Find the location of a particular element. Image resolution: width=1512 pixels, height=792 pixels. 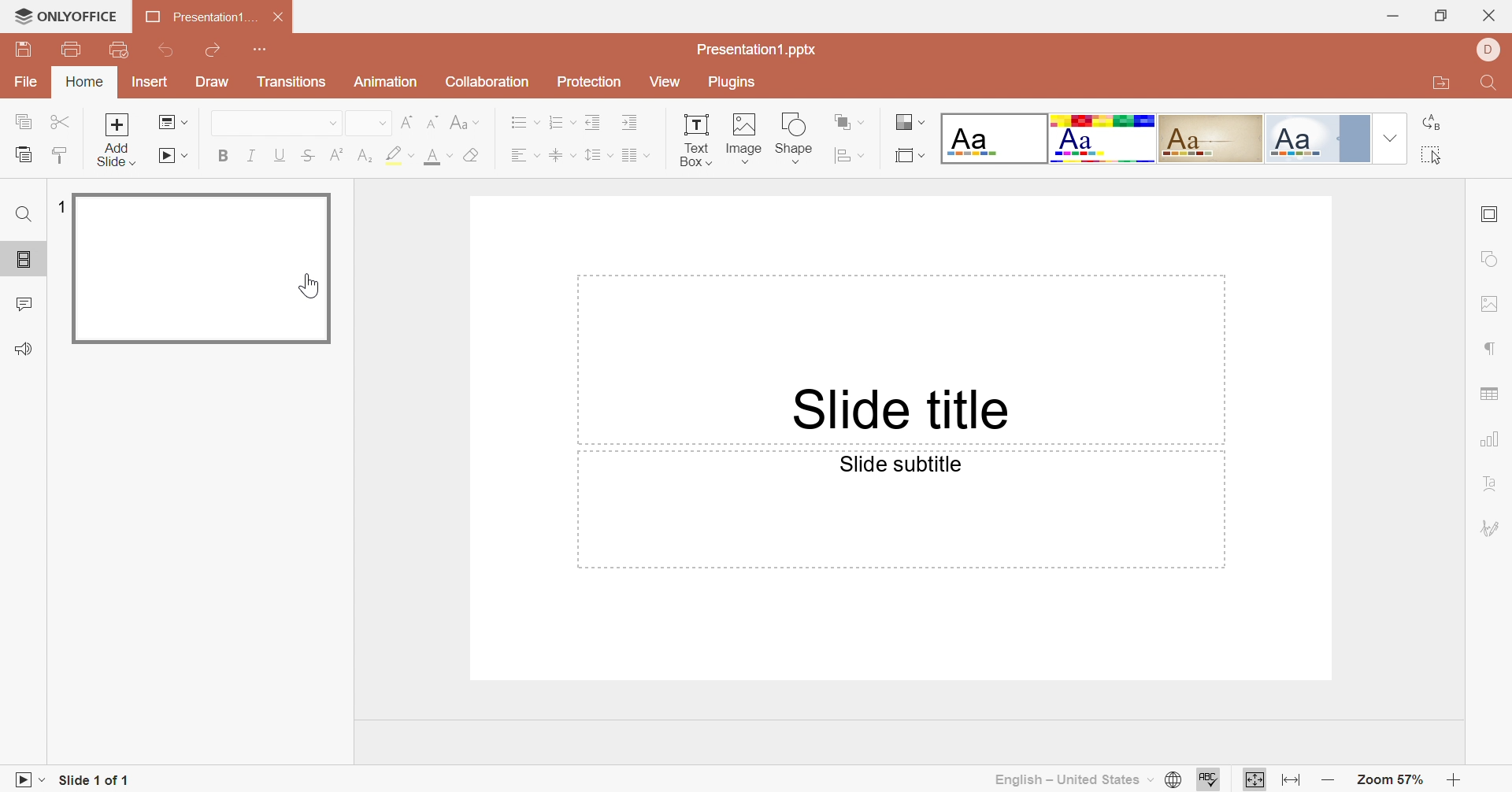

Change case is located at coordinates (458, 122).